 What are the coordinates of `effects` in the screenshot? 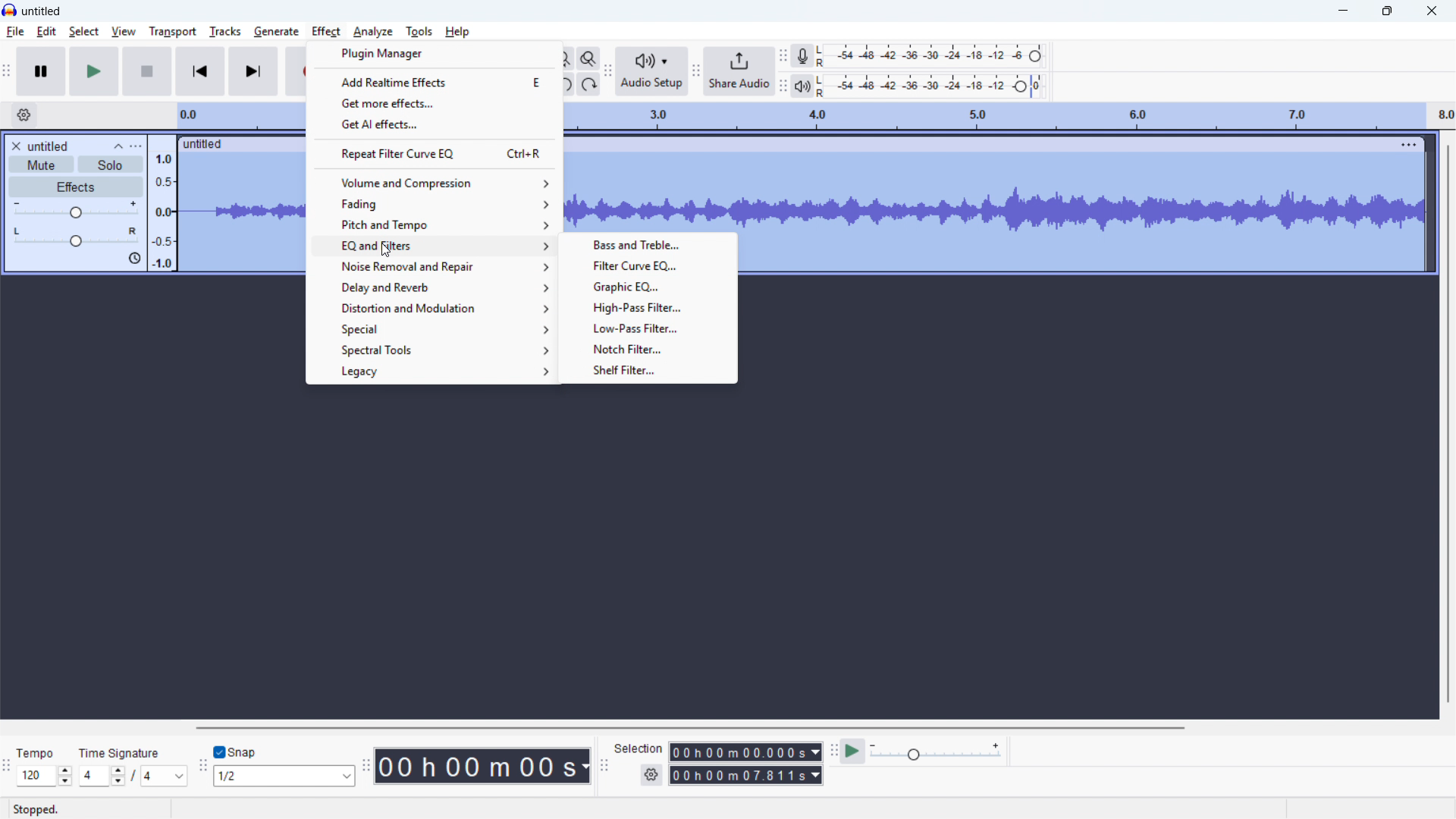 It's located at (76, 187).